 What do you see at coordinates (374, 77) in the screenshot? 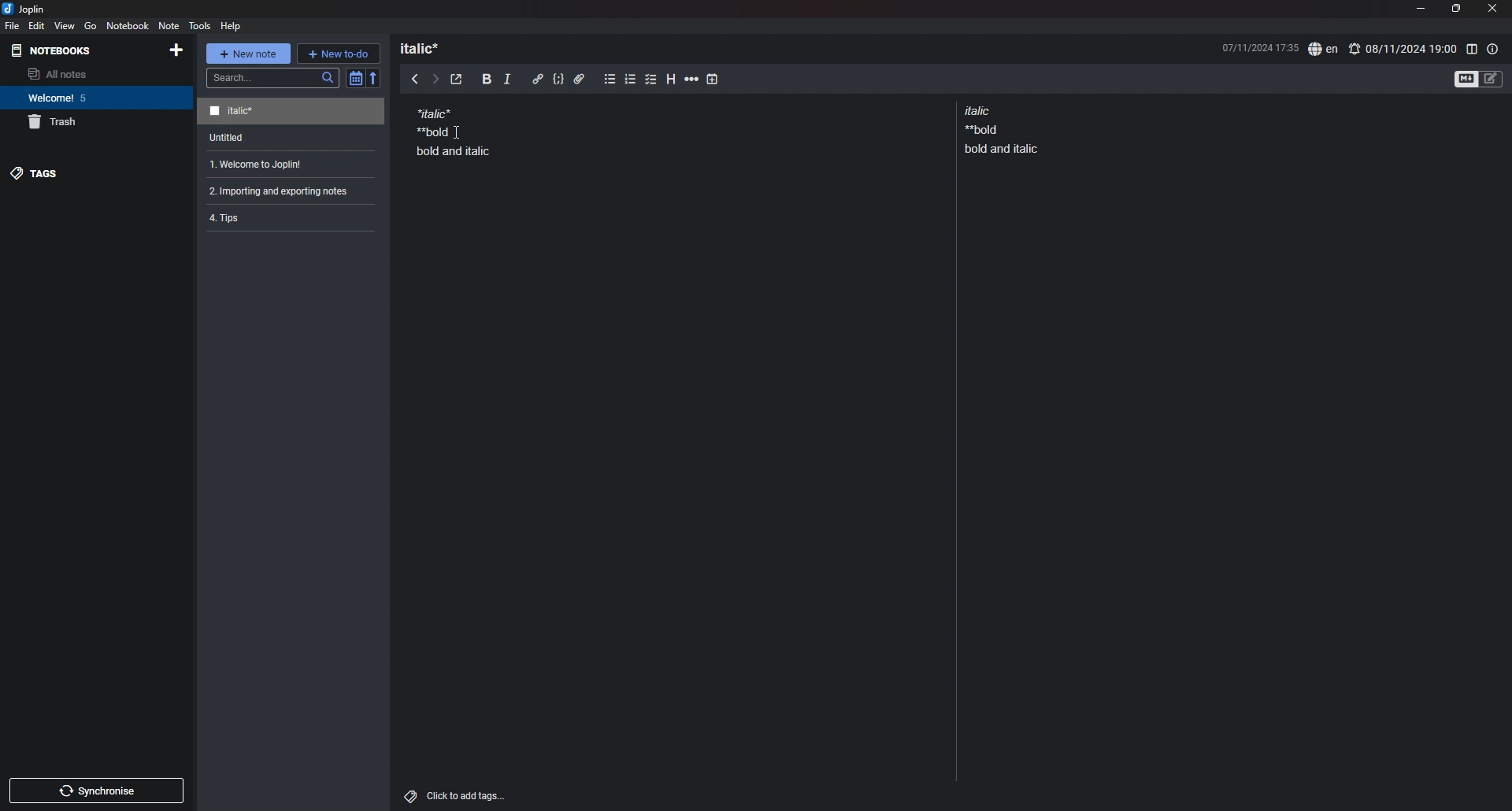
I see `reverse sort order` at bounding box center [374, 77].